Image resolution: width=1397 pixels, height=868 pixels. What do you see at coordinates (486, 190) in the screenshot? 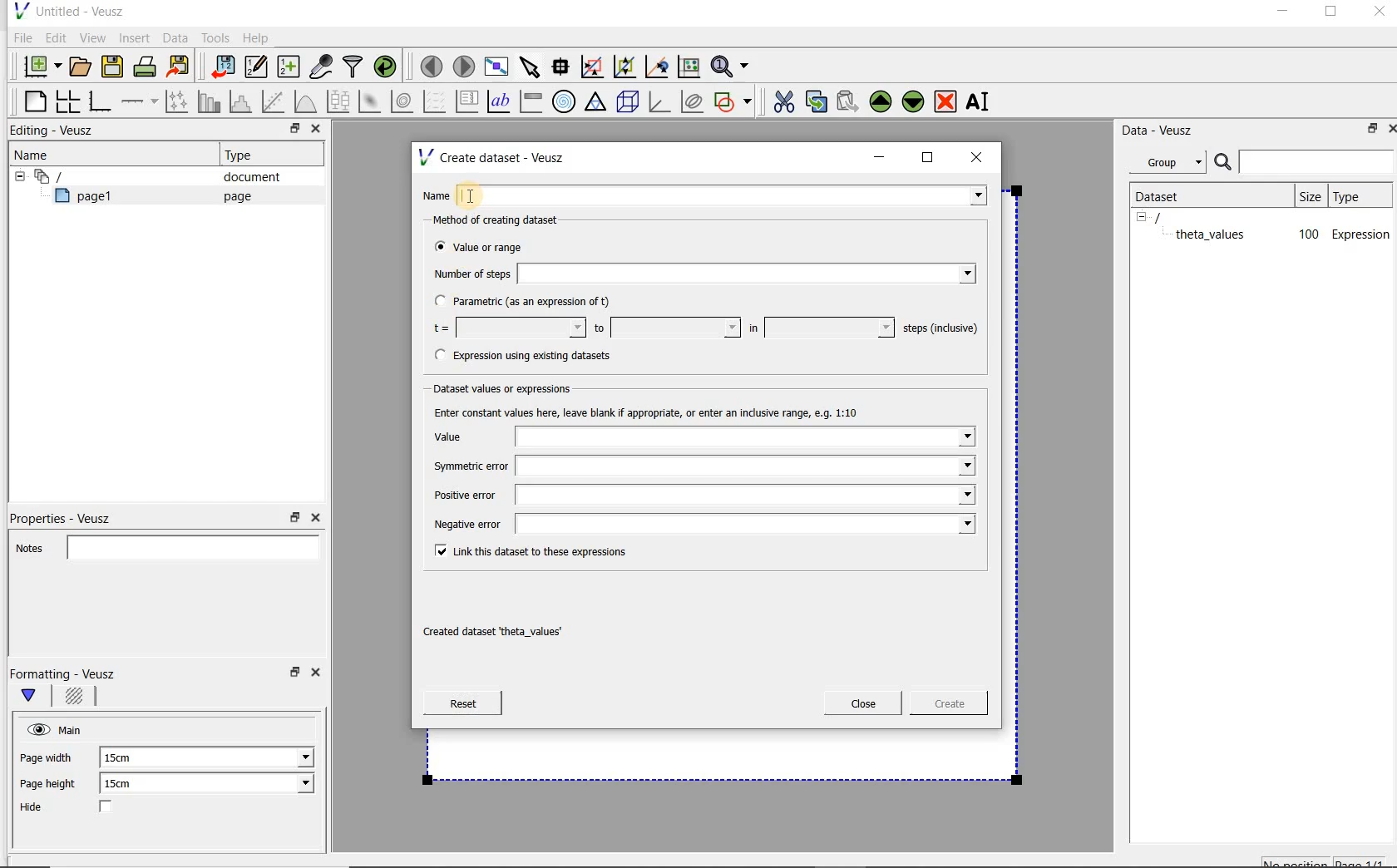
I see `Cursor` at bounding box center [486, 190].